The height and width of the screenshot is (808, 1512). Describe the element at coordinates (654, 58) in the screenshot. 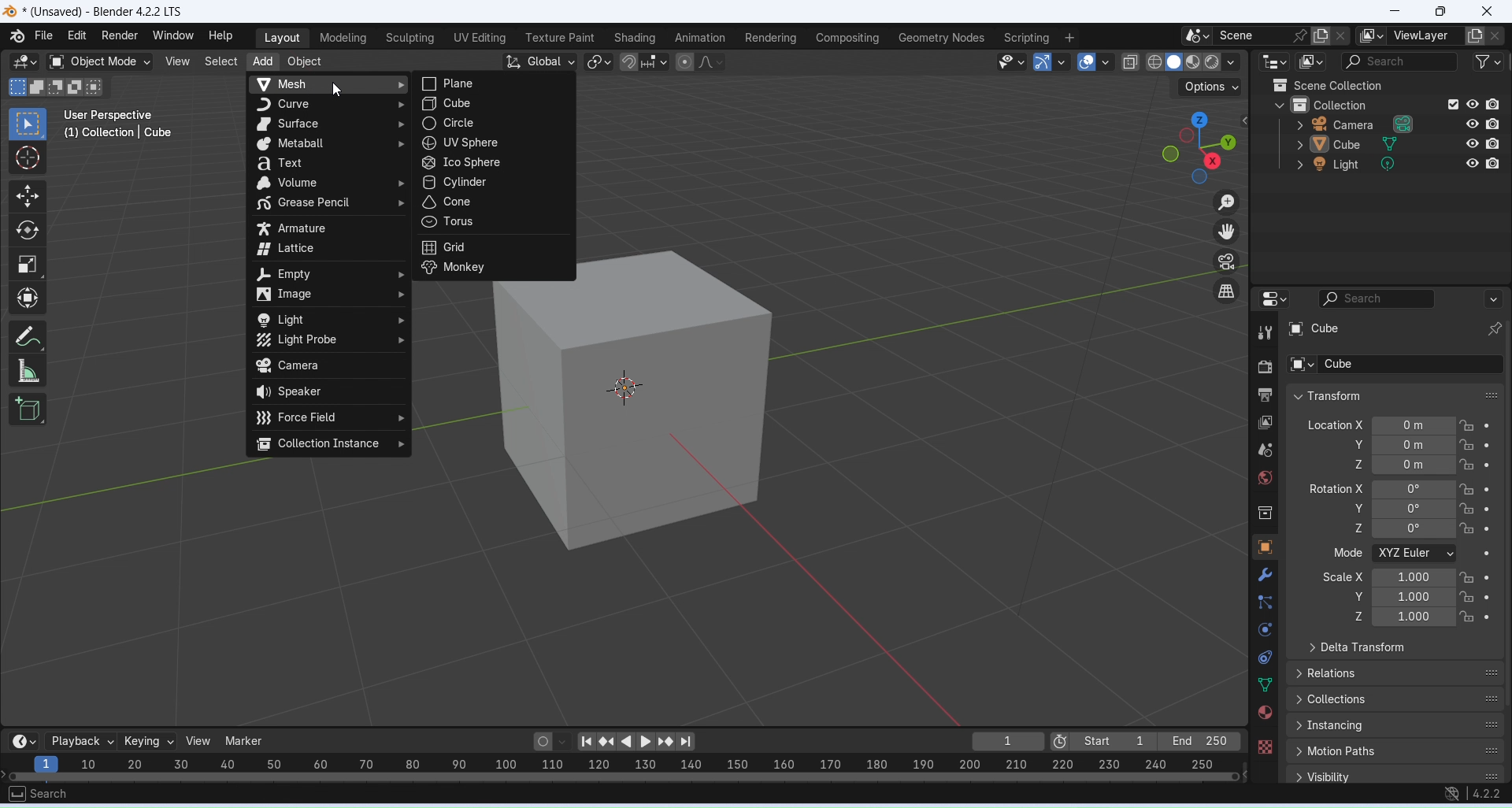

I see `Snapping` at that location.